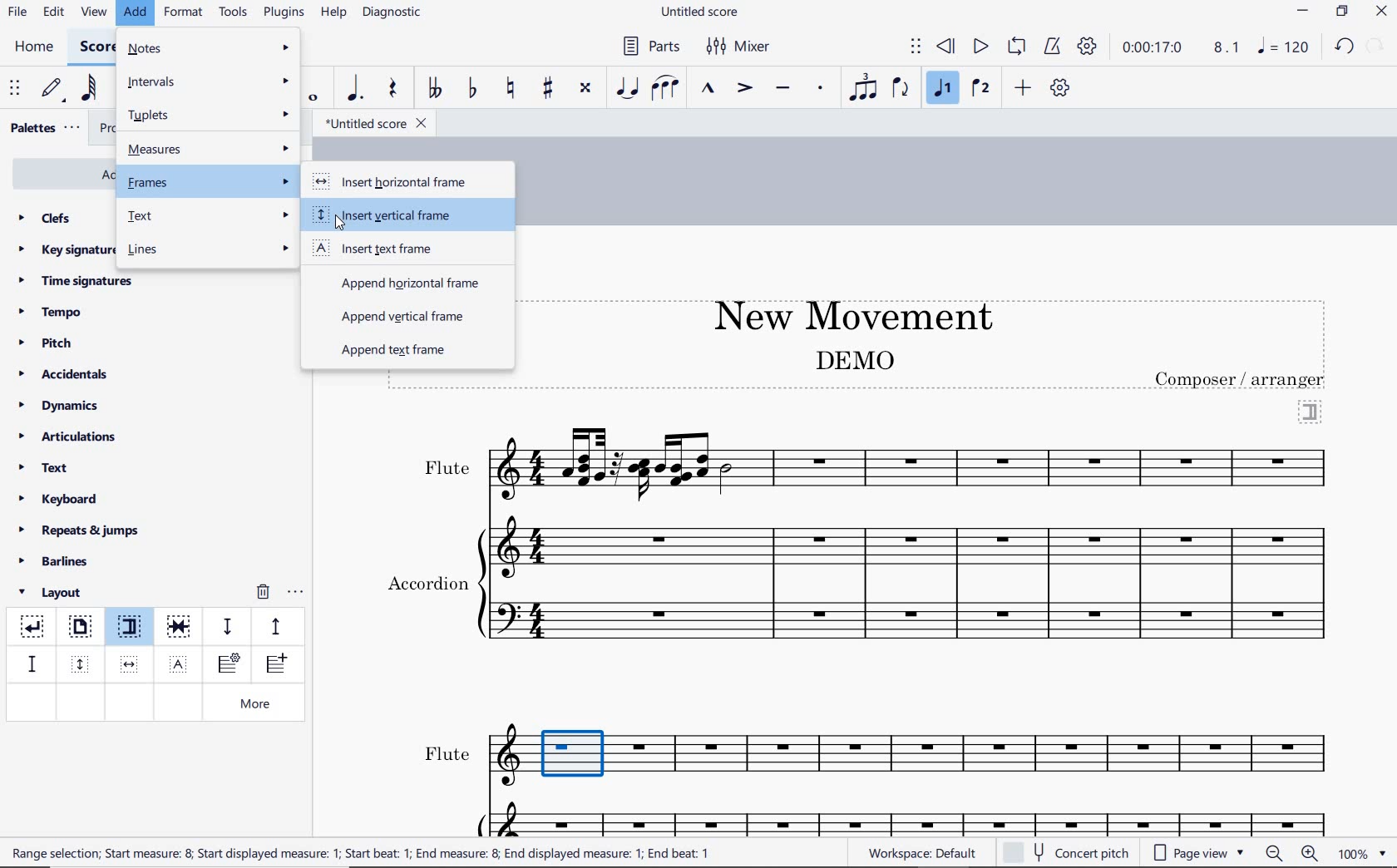 The image size is (1397, 868). Describe the element at coordinates (1061, 89) in the screenshot. I see `customize toolbar` at that location.